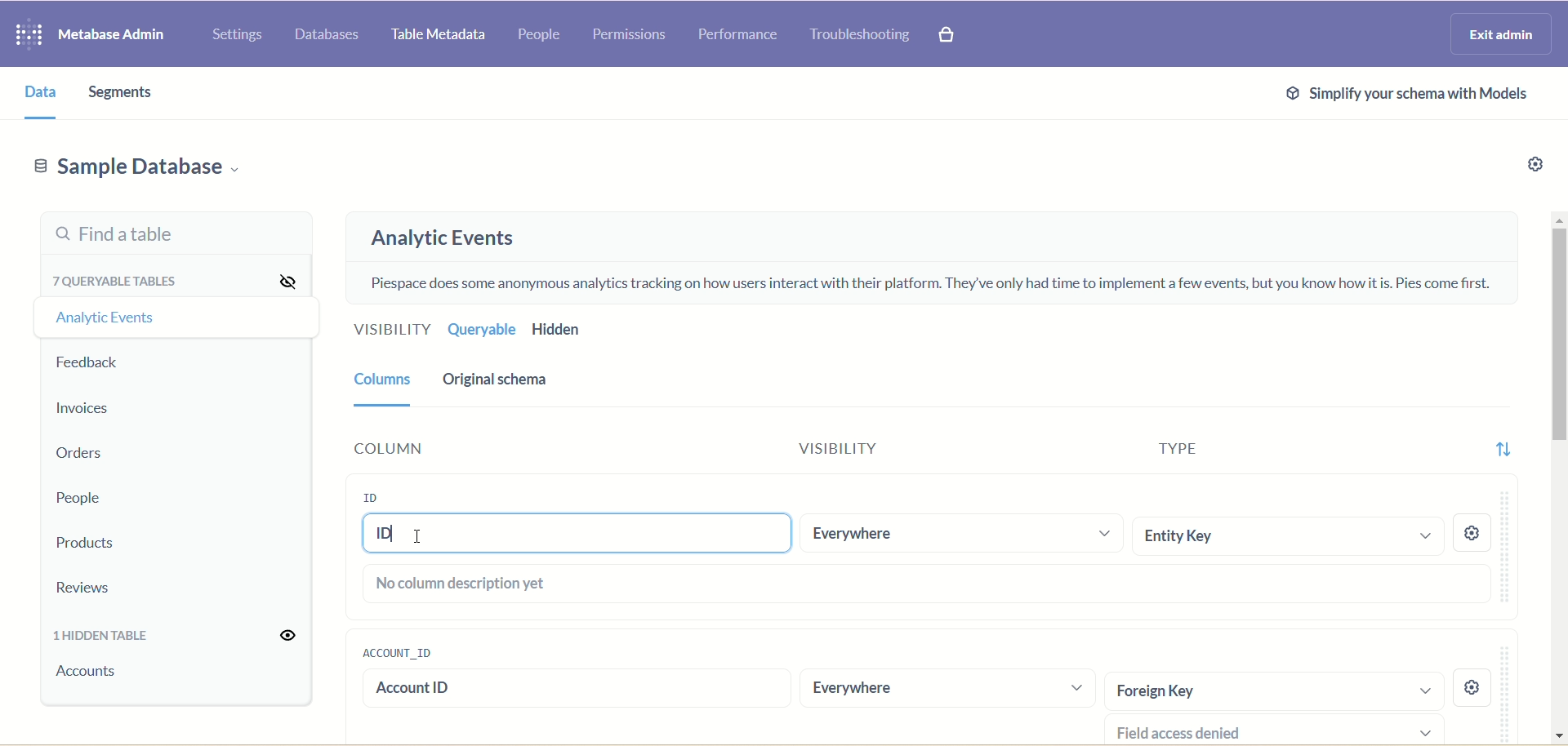  What do you see at coordinates (537, 688) in the screenshot?
I see `account id` at bounding box center [537, 688].